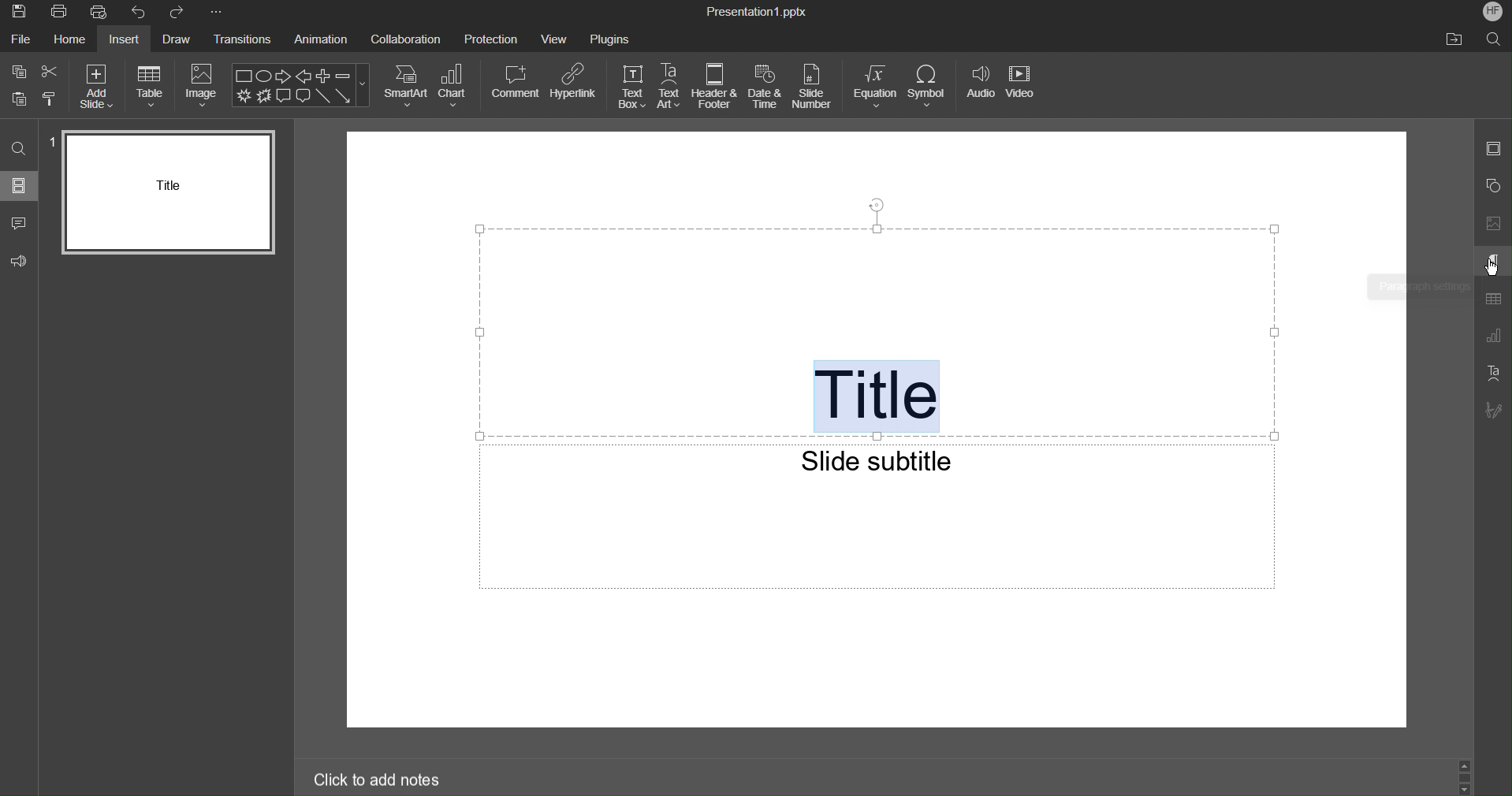  Describe the element at coordinates (874, 458) in the screenshot. I see `Slide subtitle` at that location.